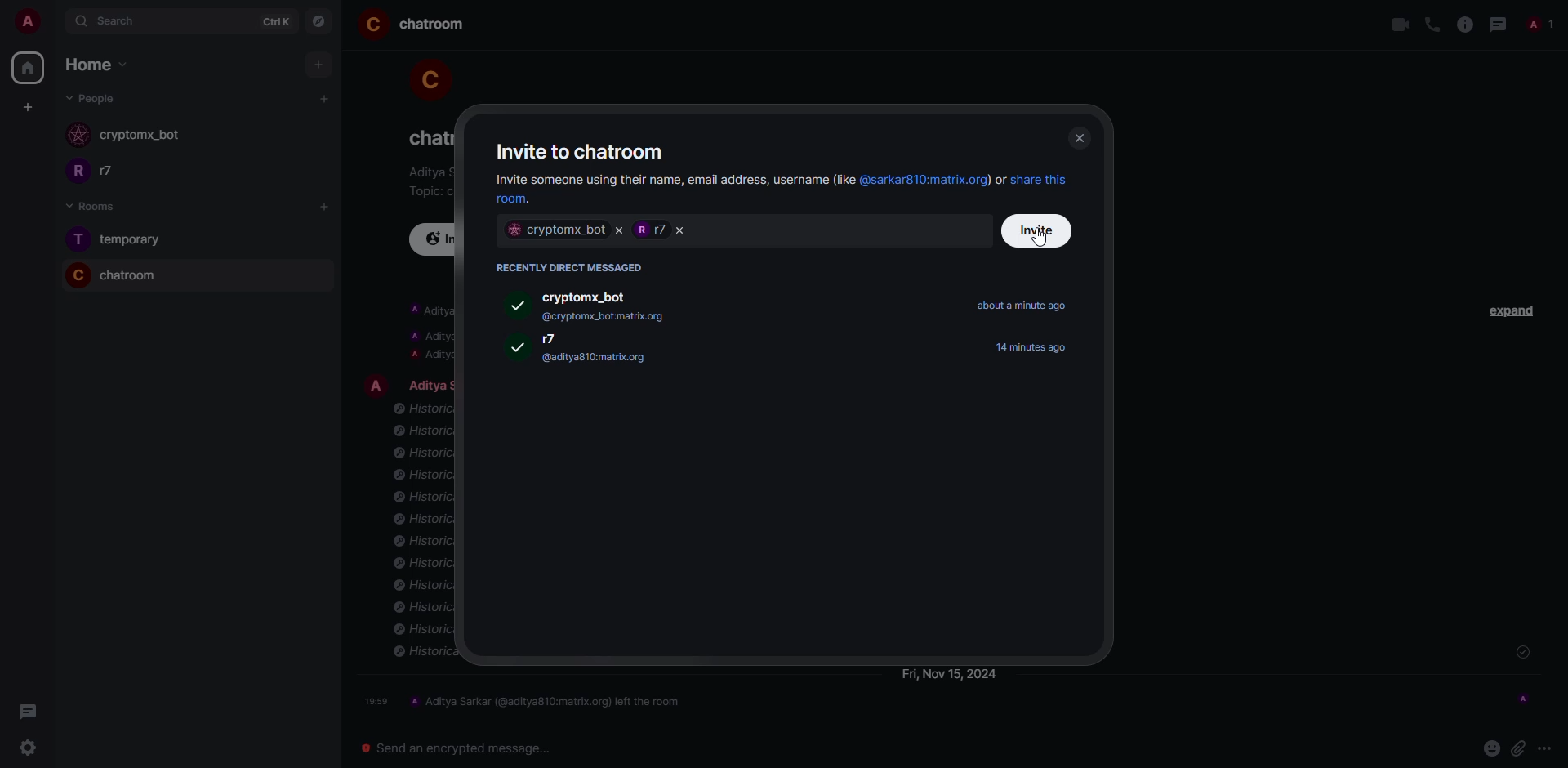  What do you see at coordinates (421, 534) in the screenshot?
I see `info` at bounding box center [421, 534].